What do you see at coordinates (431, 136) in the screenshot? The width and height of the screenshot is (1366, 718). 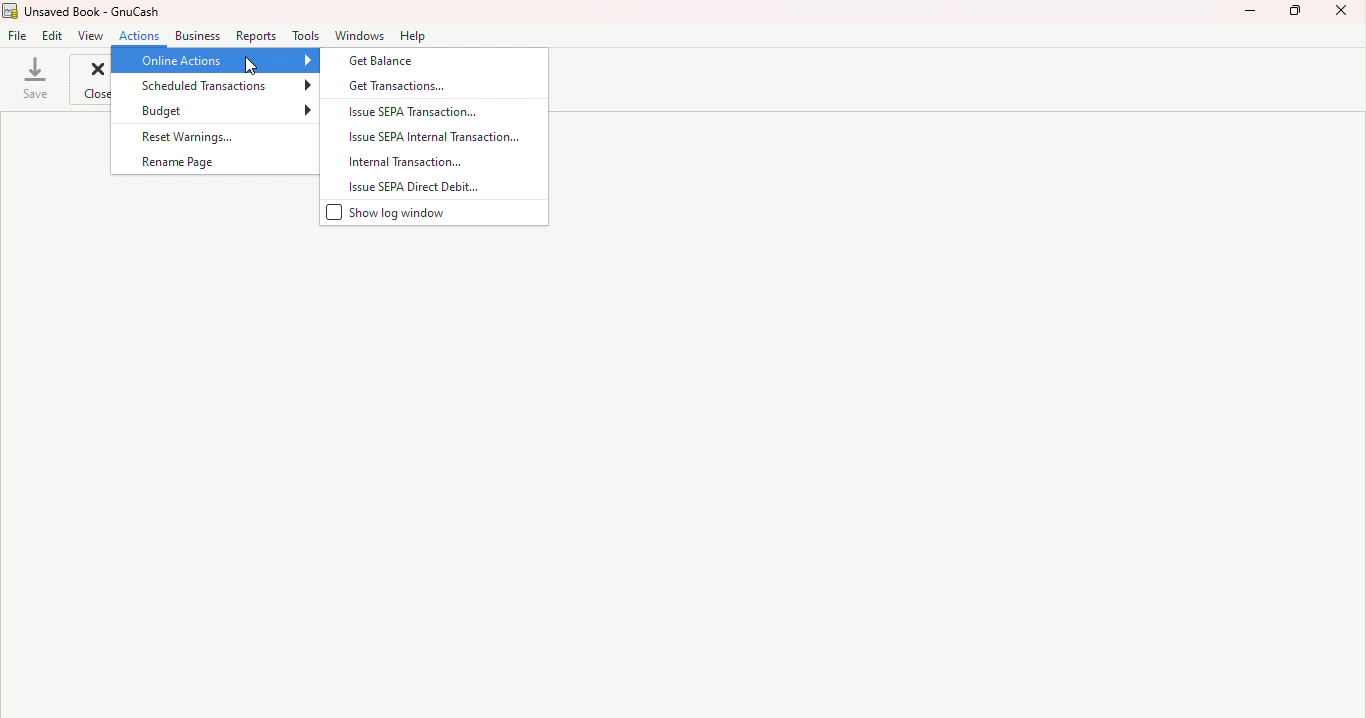 I see `Issue SEPA Internal transaction` at bounding box center [431, 136].